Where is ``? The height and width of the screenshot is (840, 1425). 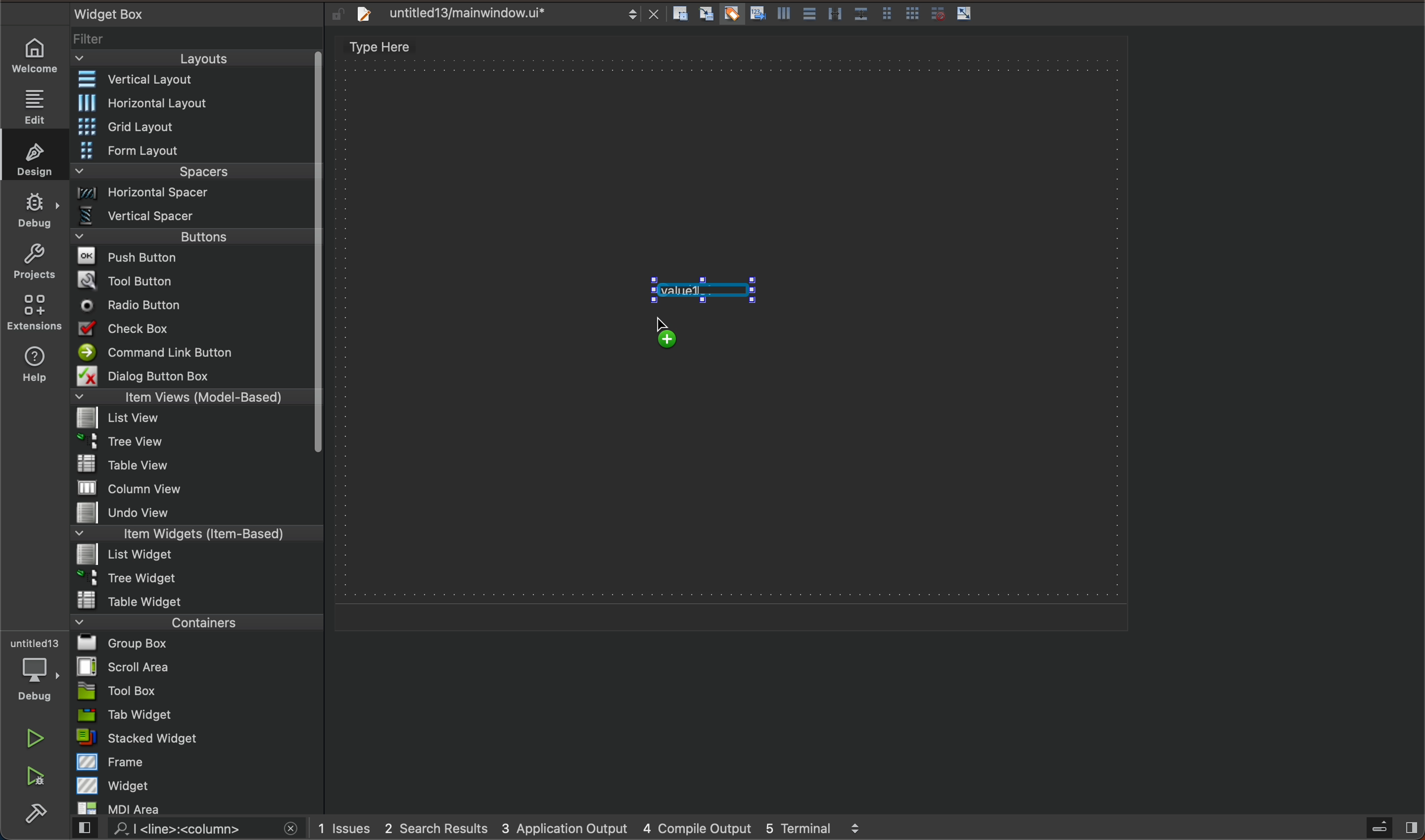
 is located at coordinates (194, 128).